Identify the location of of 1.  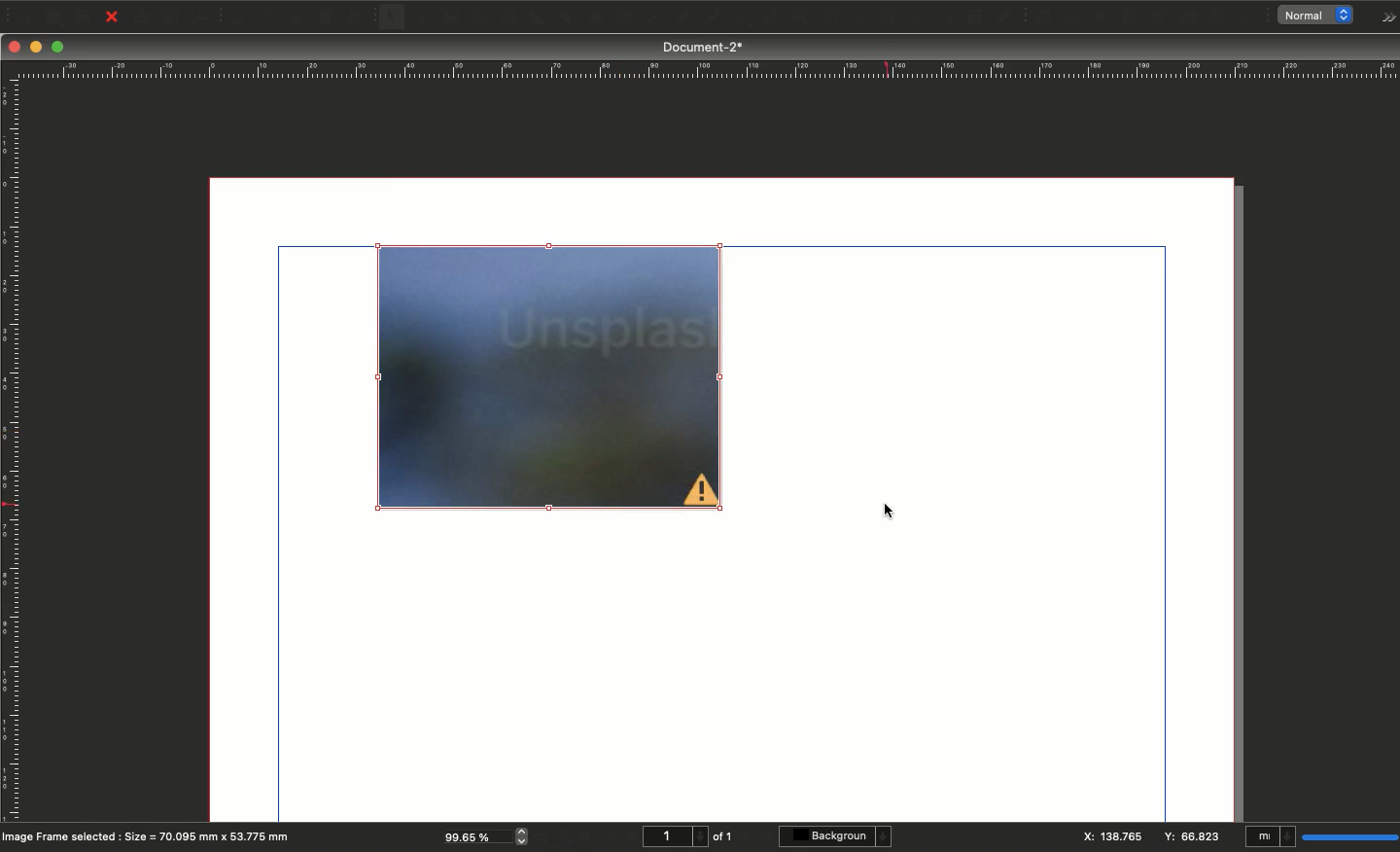
(723, 836).